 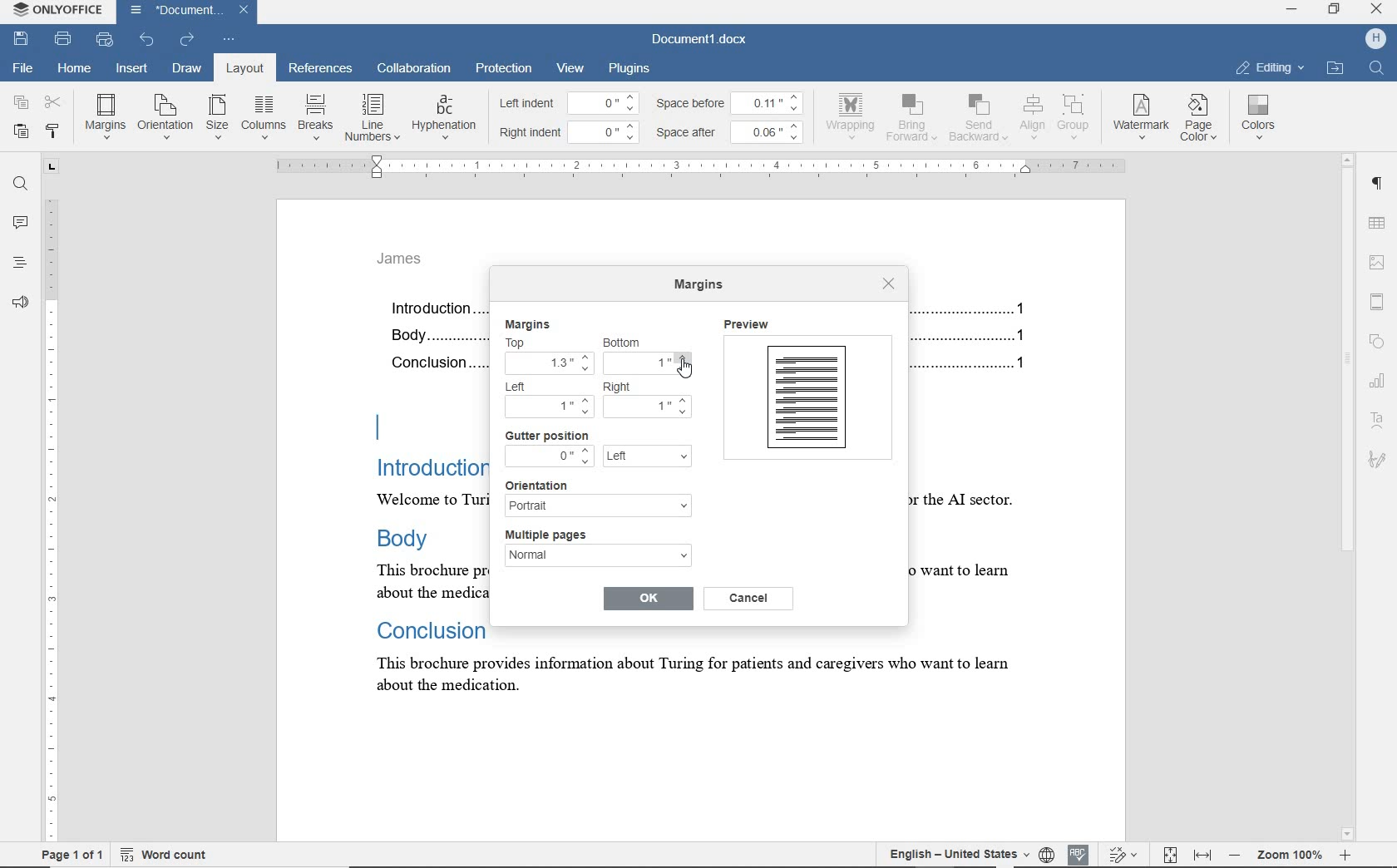 What do you see at coordinates (105, 116) in the screenshot?
I see `margins` at bounding box center [105, 116].